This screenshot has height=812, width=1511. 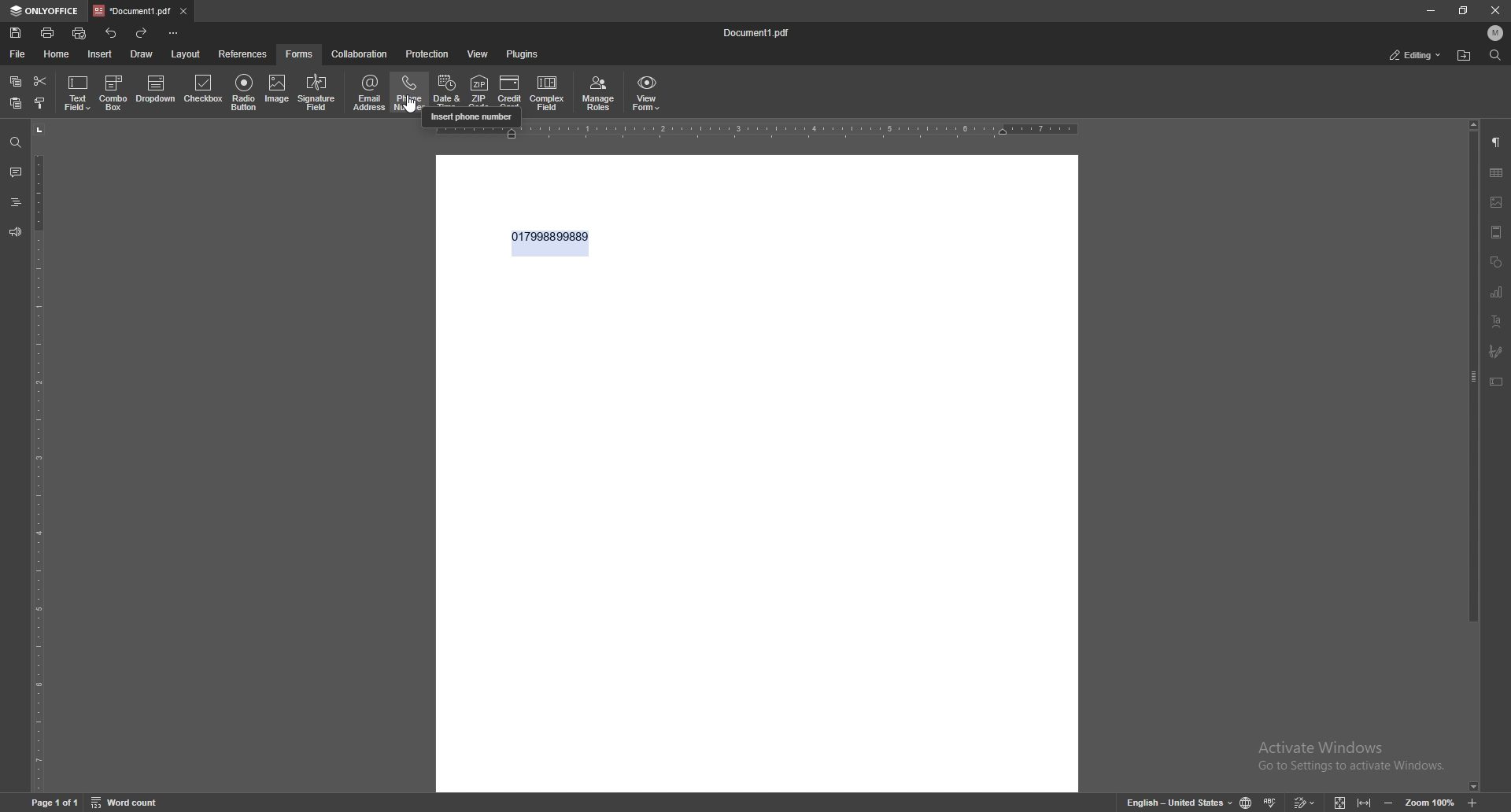 I want to click on signature field, so click(x=317, y=94).